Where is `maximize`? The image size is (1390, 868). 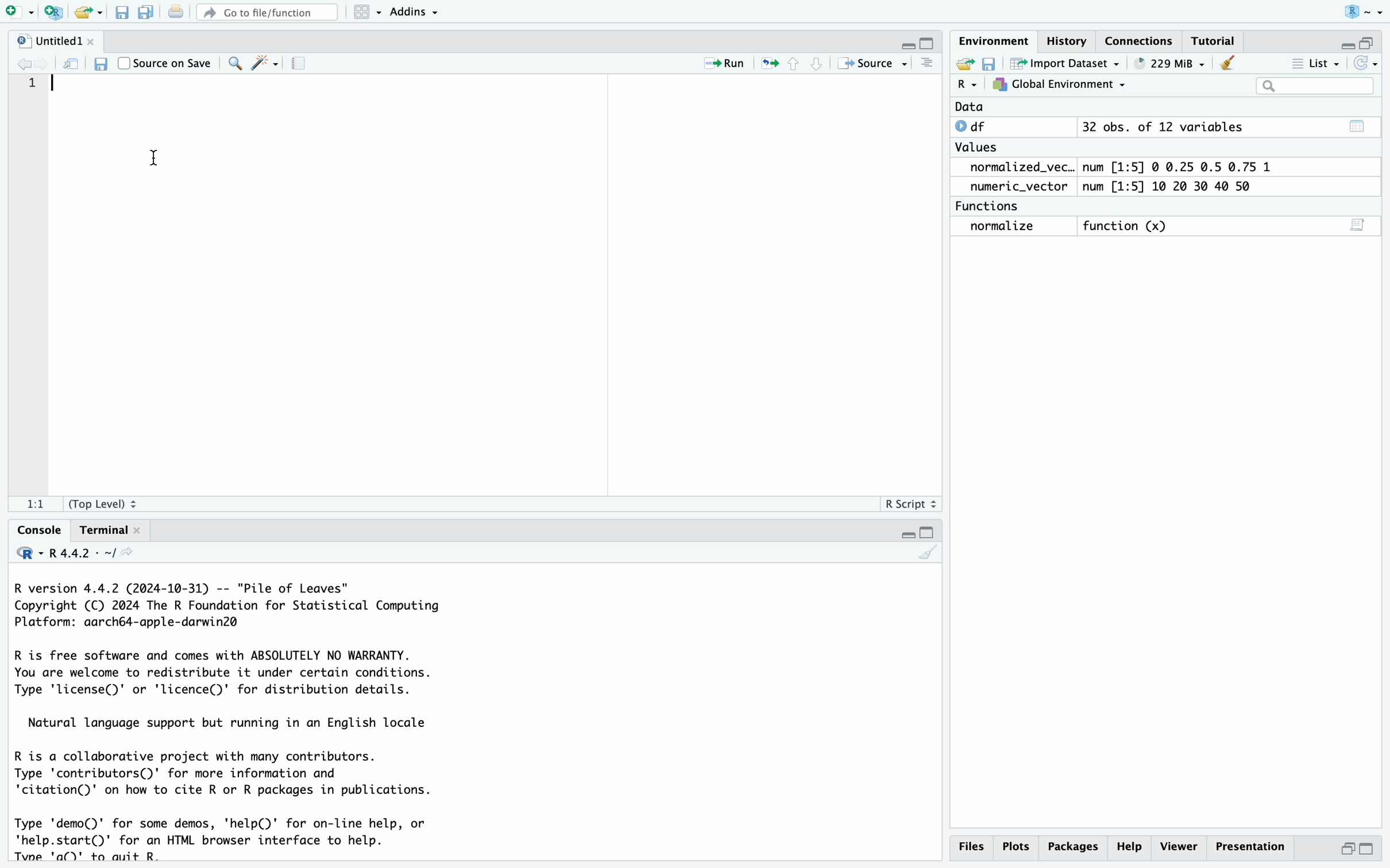
maximize is located at coordinates (1368, 849).